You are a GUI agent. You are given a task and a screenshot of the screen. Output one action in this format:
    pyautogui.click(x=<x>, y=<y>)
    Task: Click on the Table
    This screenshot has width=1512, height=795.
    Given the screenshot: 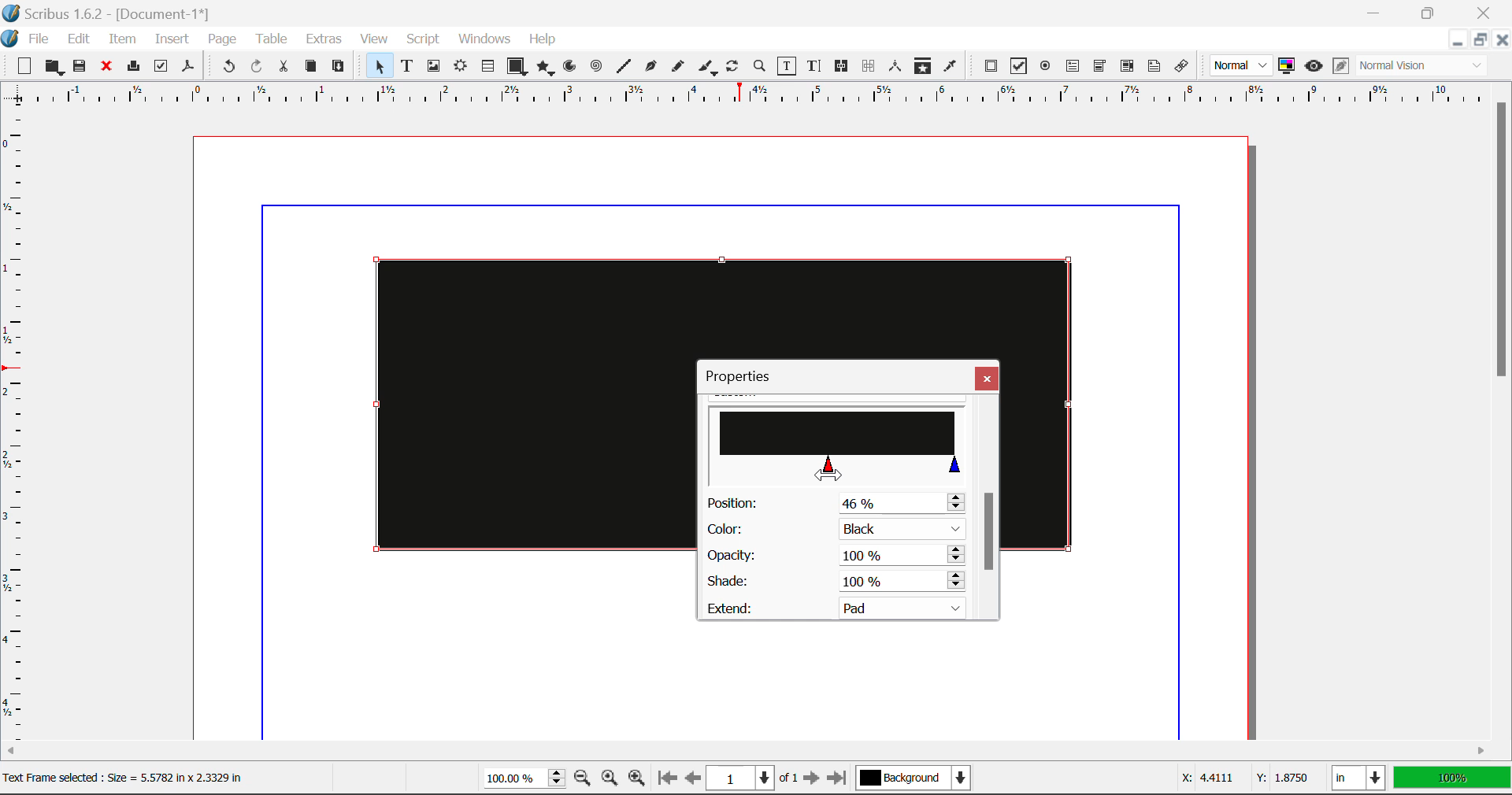 What is the action you would take?
    pyautogui.click(x=270, y=40)
    